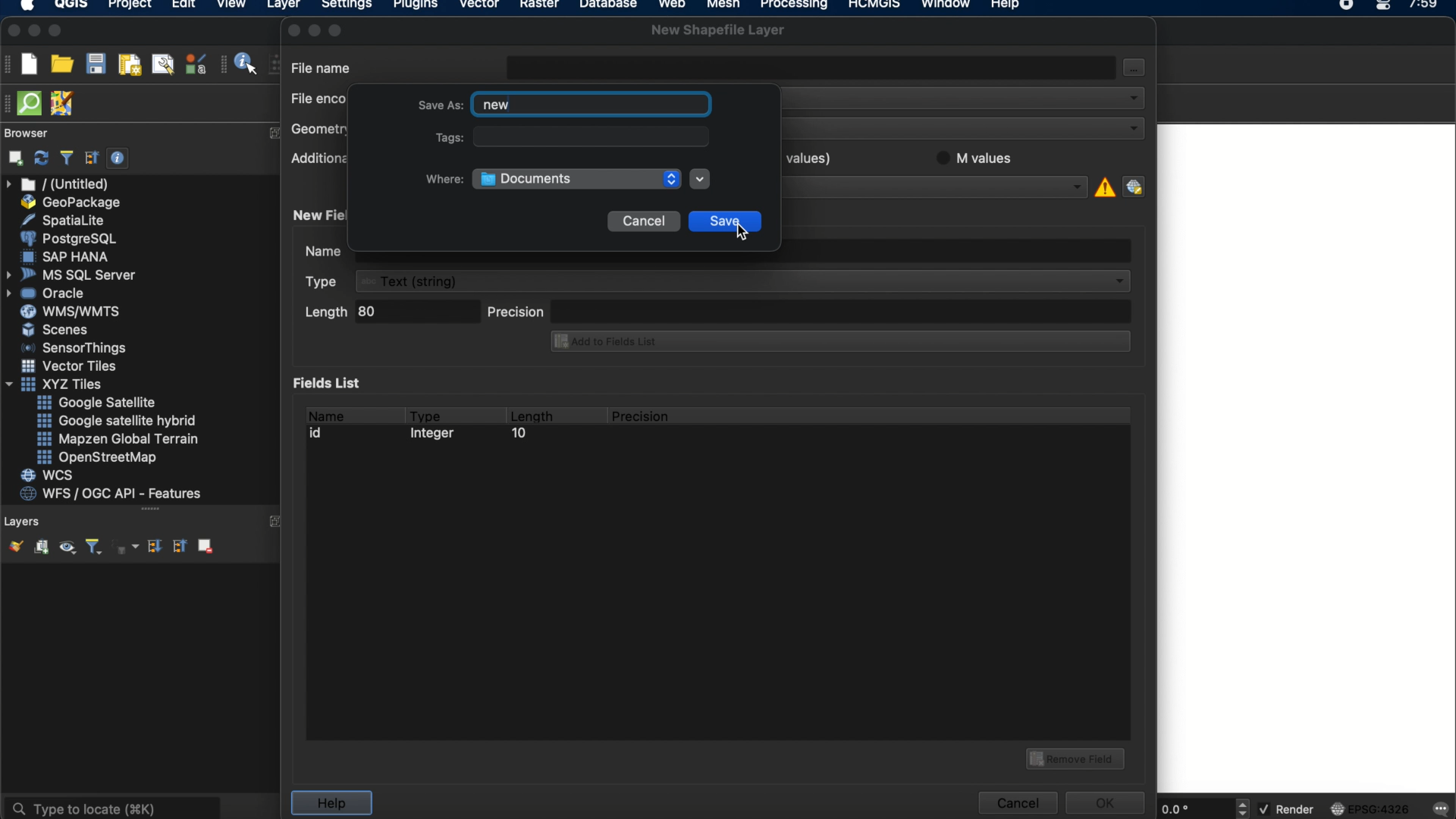 This screenshot has width=1456, height=819. What do you see at coordinates (526, 180) in the screenshot?
I see `documents` at bounding box center [526, 180].